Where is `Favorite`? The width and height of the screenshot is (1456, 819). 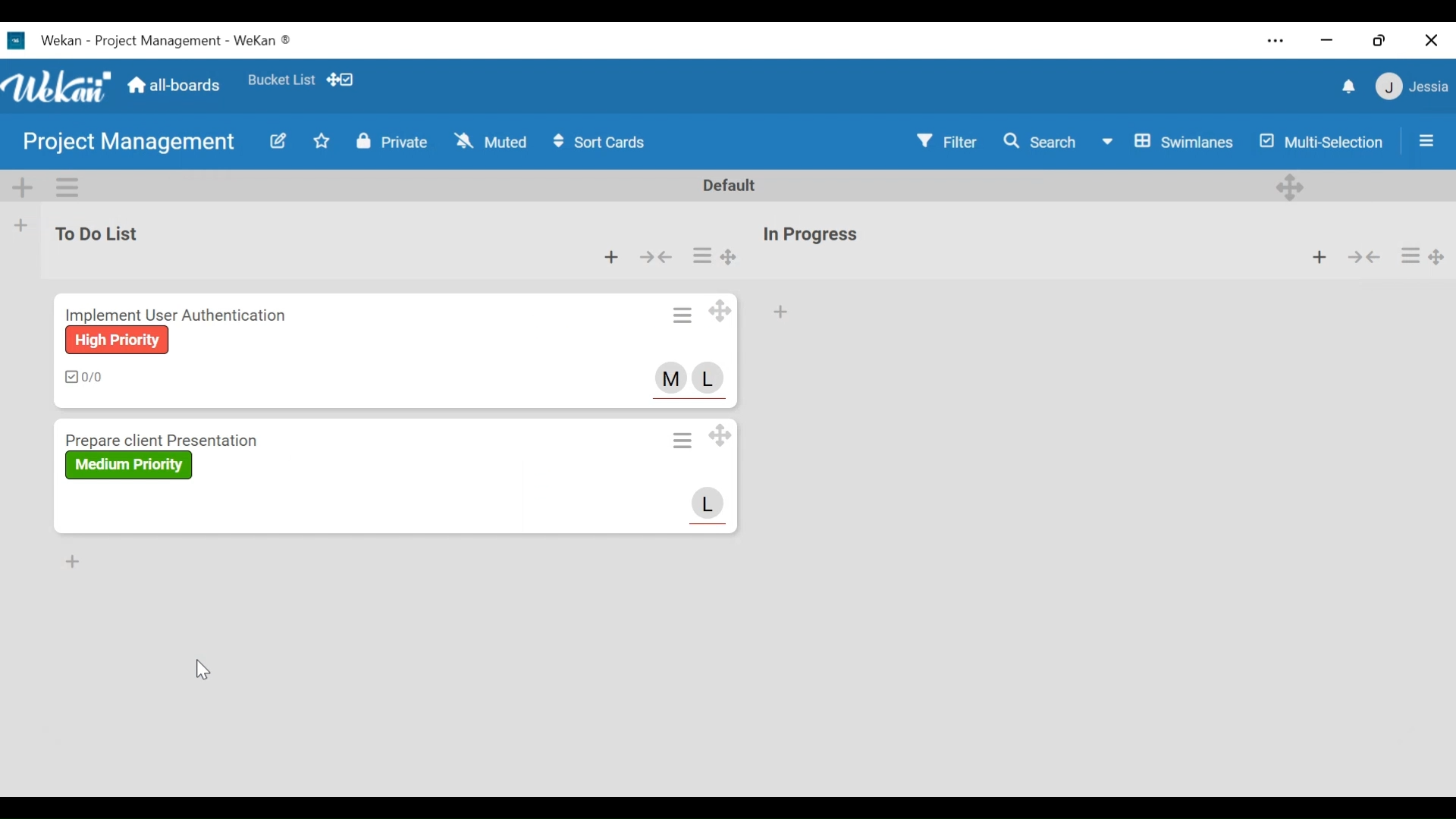
Favorite is located at coordinates (321, 142).